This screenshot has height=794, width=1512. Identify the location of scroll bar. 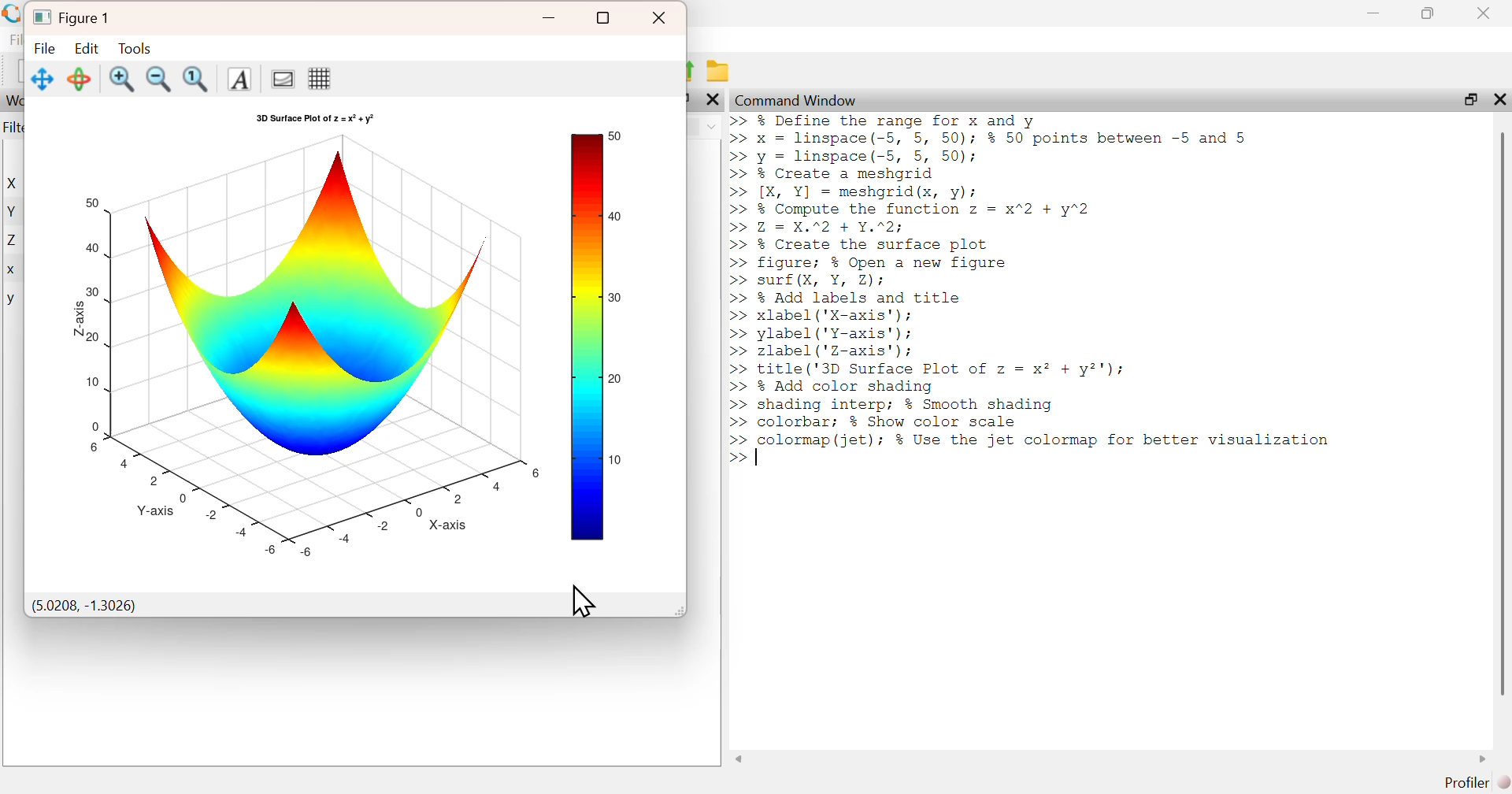
(1502, 413).